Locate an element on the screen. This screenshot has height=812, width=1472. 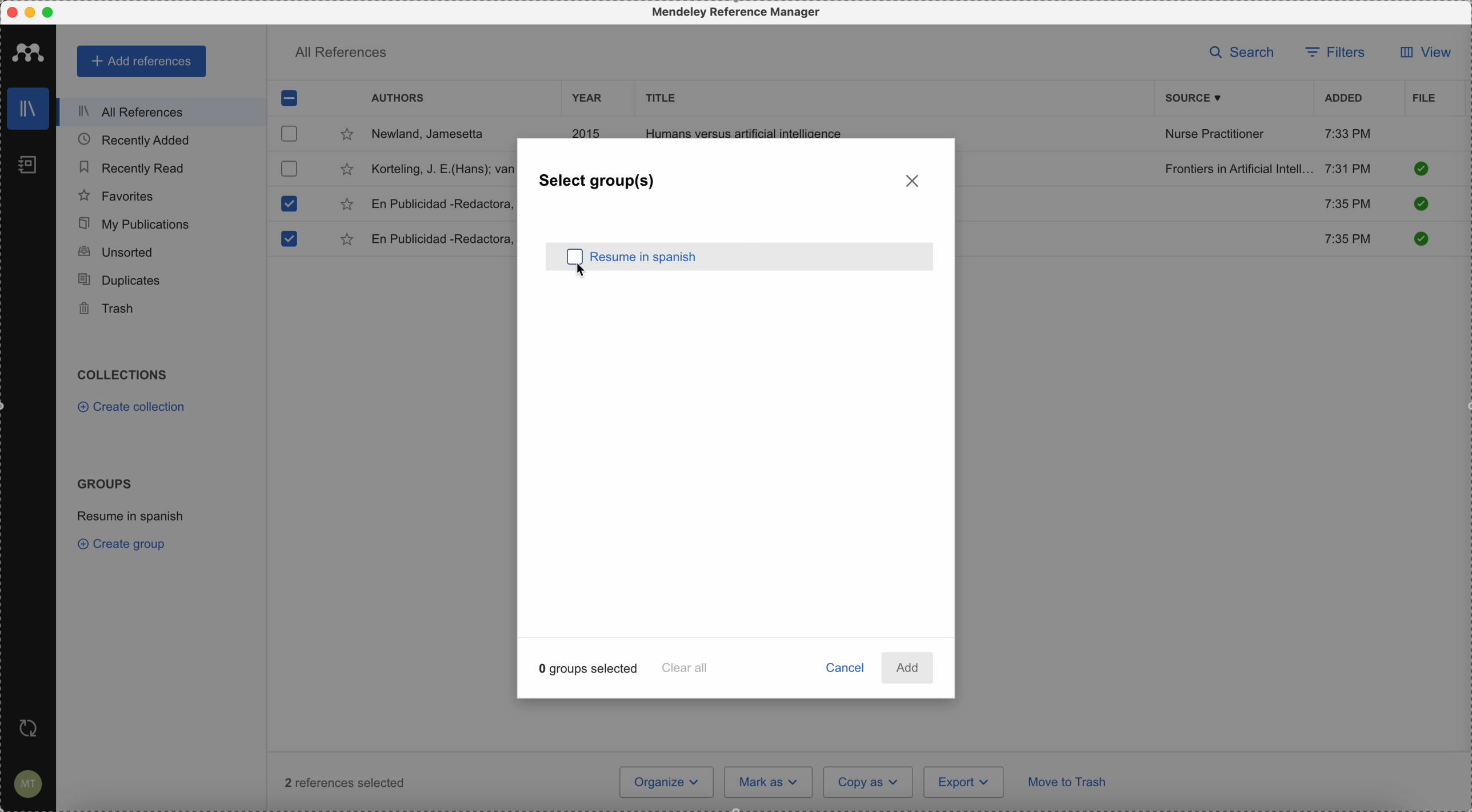
2 reference selected is located at coordinates (345, 782).